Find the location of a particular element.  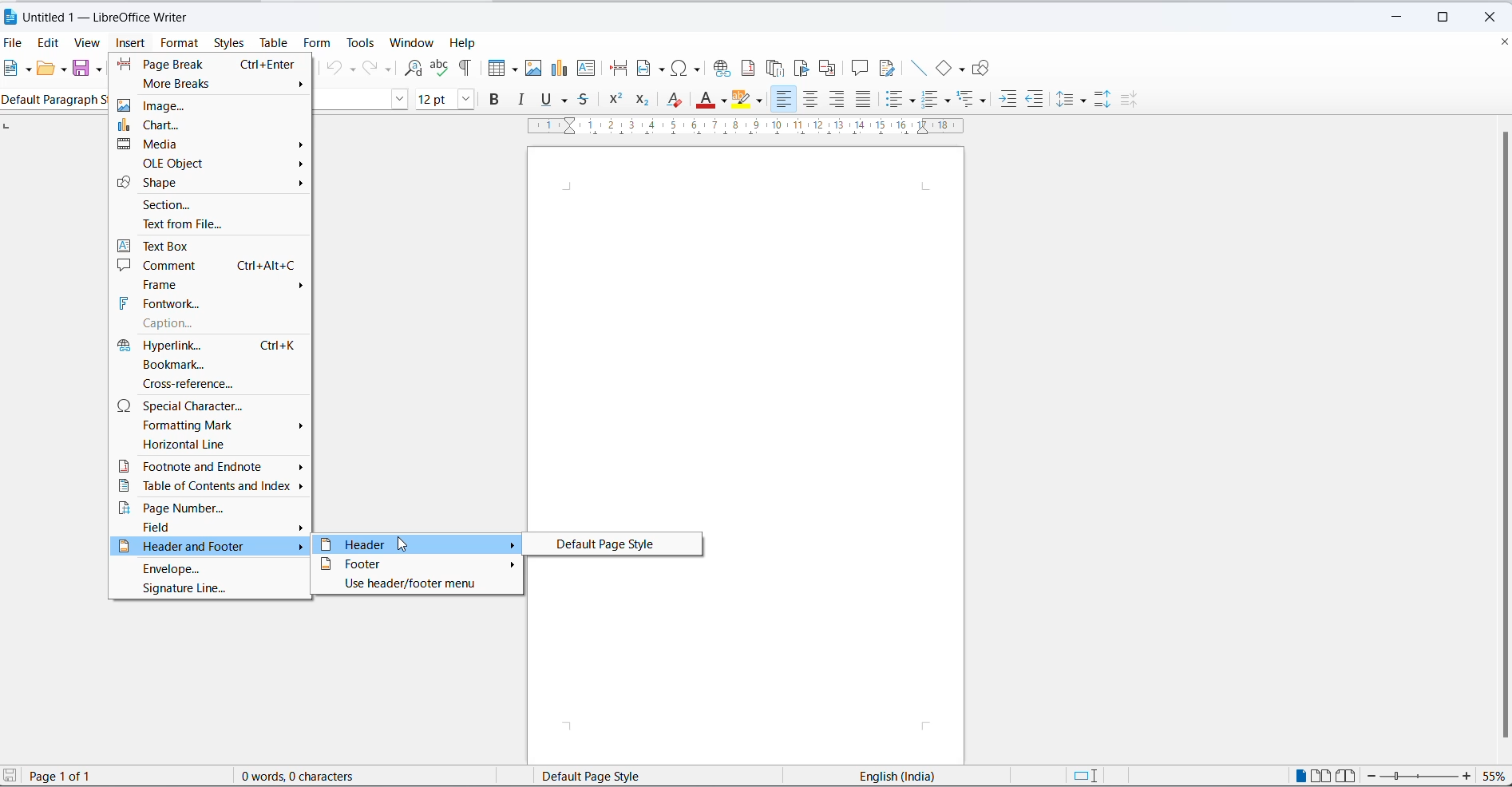

show track changes functions is located at coordinates (888, 69).